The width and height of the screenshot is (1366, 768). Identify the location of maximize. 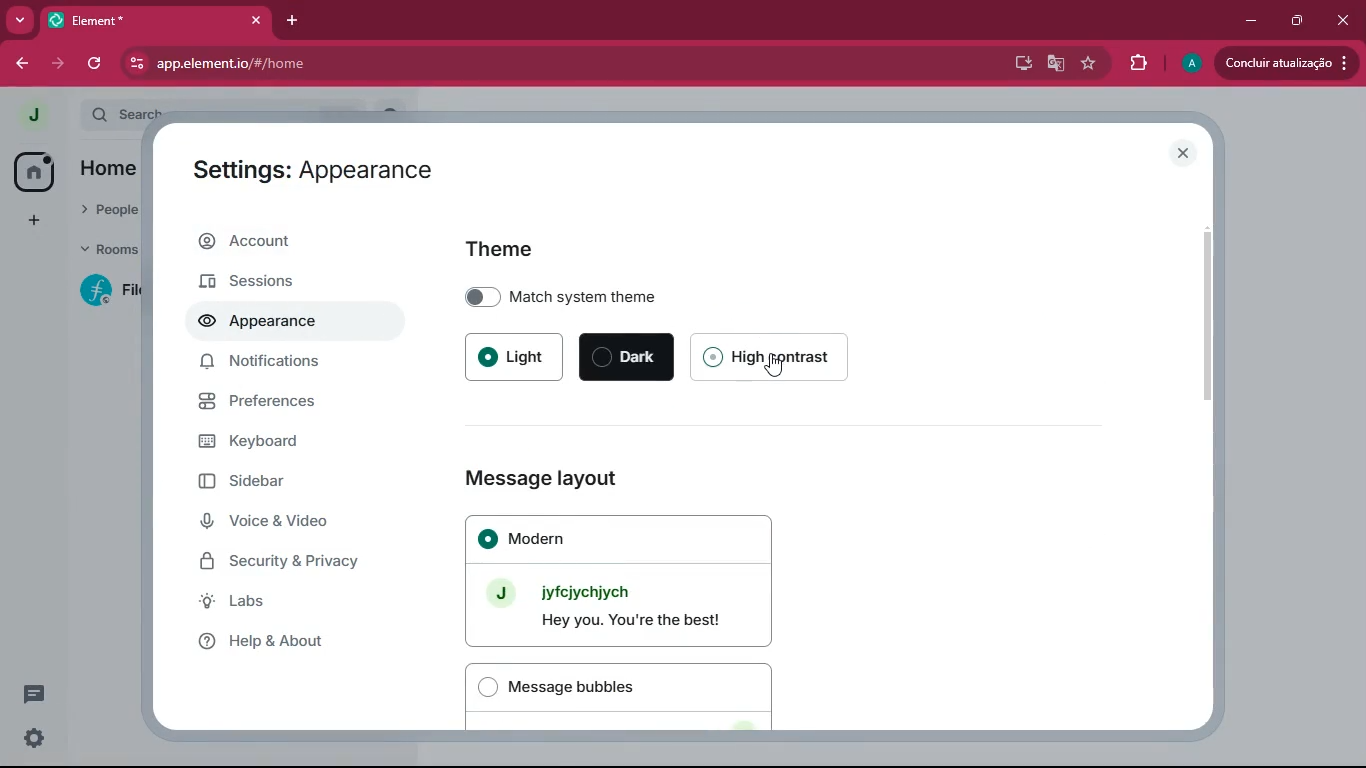
(1293, 20).